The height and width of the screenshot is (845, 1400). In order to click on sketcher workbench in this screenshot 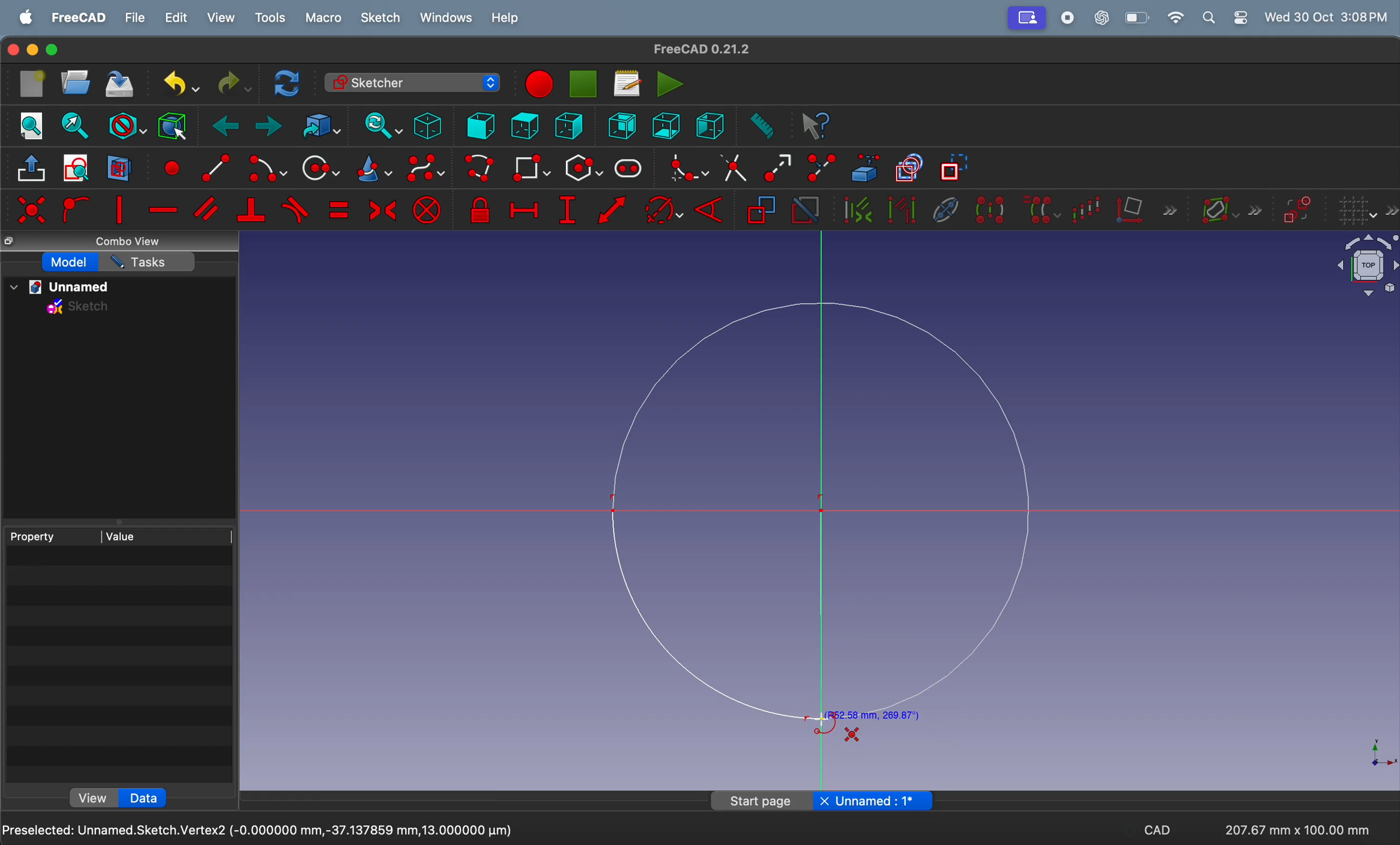, I will do `click(411, 82)`.